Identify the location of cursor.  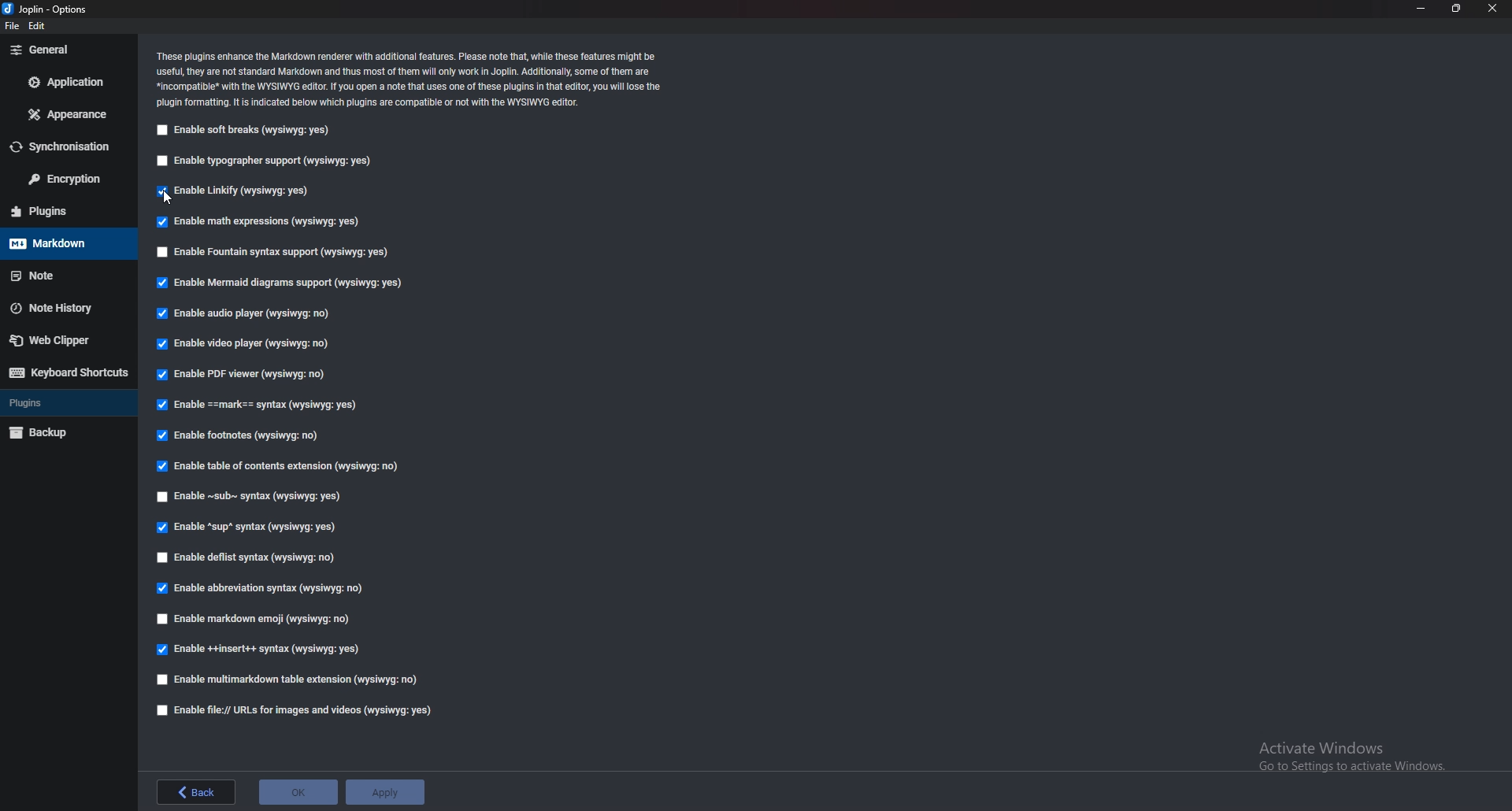
(169, 196).